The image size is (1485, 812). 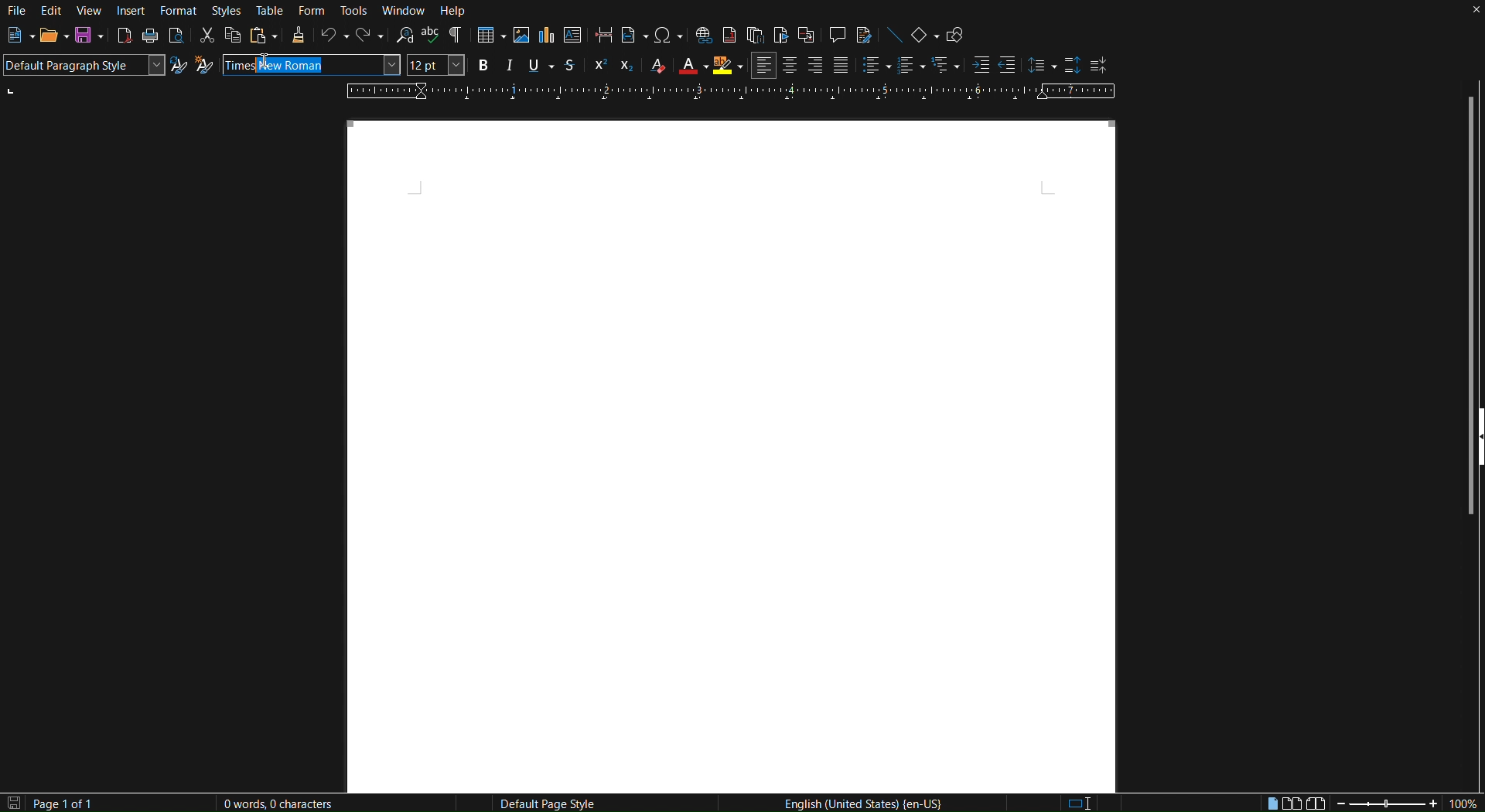 What do you see at coordinates (206, 67) in the screenshot?
I see `New Style from Selection` at bounding box center [206, 67].